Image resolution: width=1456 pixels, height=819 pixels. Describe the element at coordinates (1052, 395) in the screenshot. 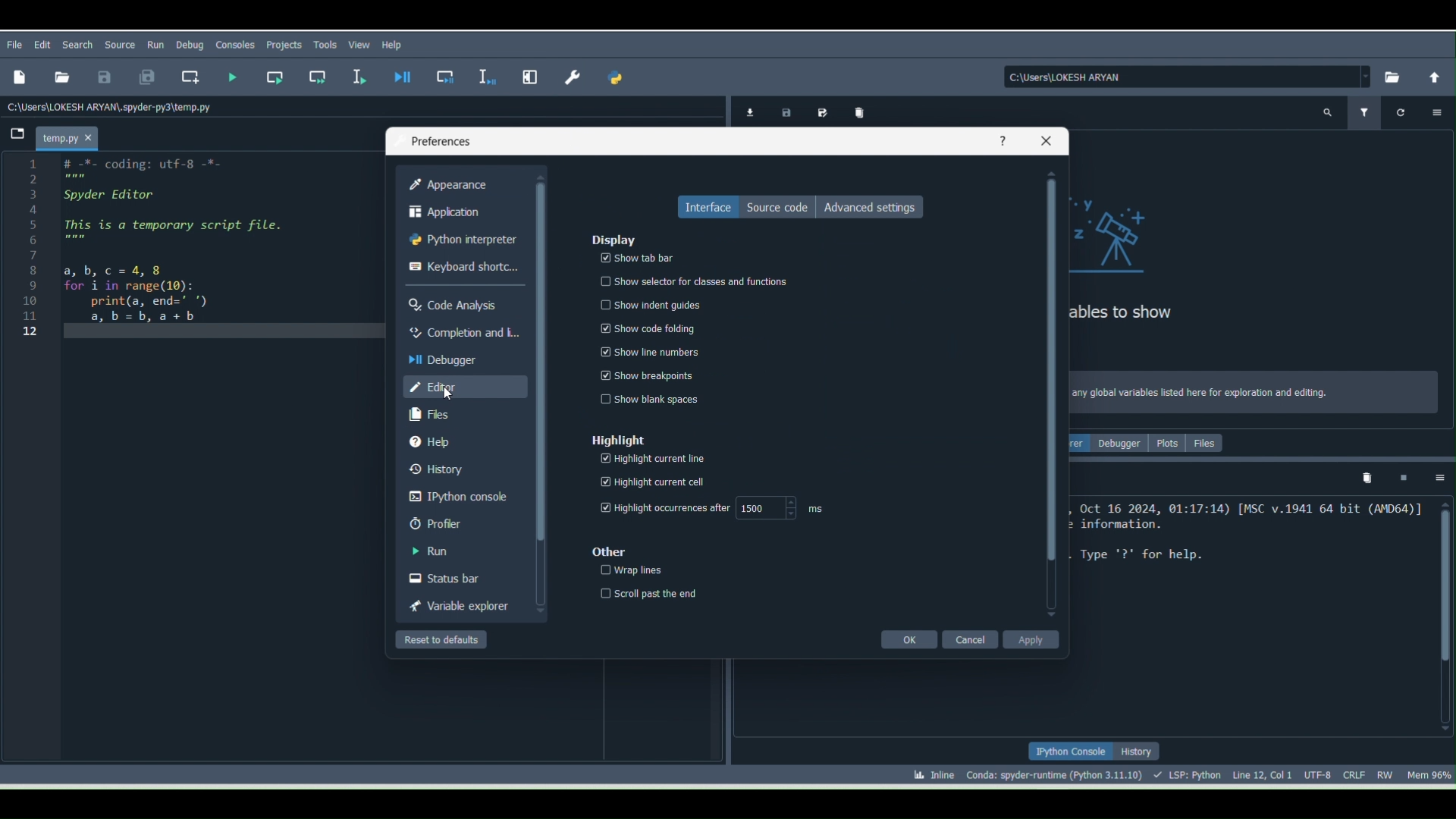

I see `Scrollbar` at that location.